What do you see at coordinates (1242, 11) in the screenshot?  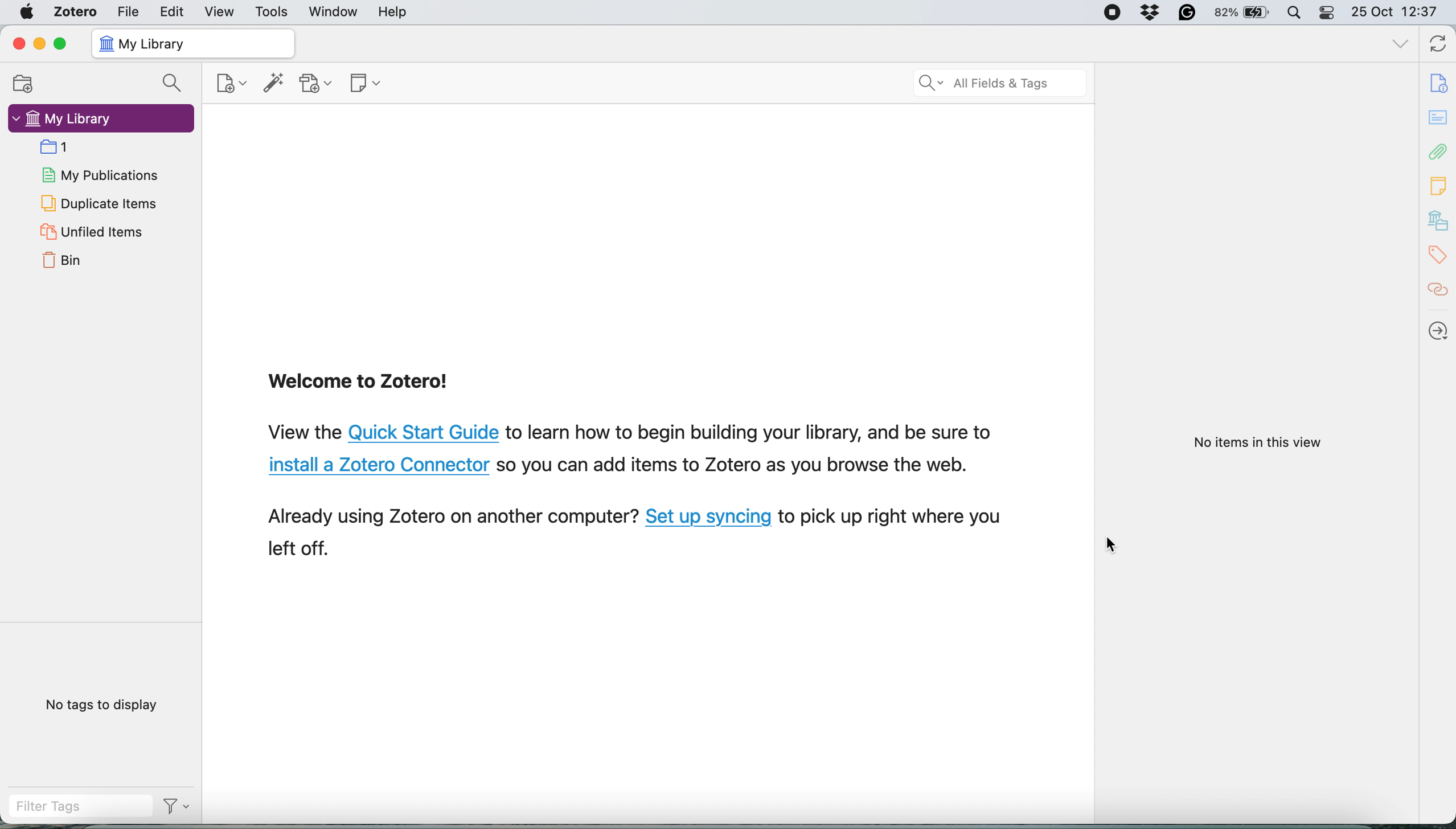 I see `82% battery` at bounding box center [1242, 11].